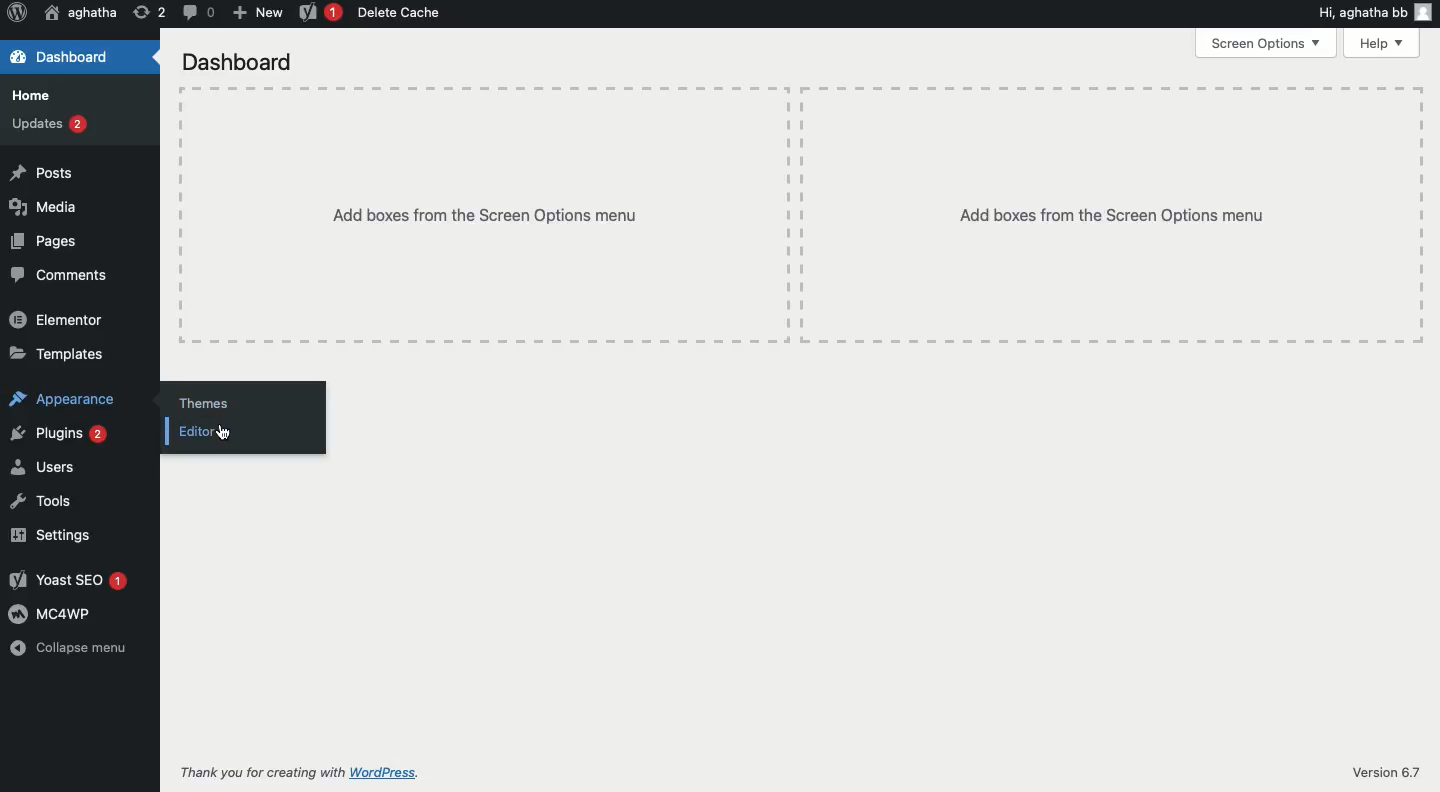  Describe the element at coordinates (42, 502) in the screenshot. I see `Tools` at that location.